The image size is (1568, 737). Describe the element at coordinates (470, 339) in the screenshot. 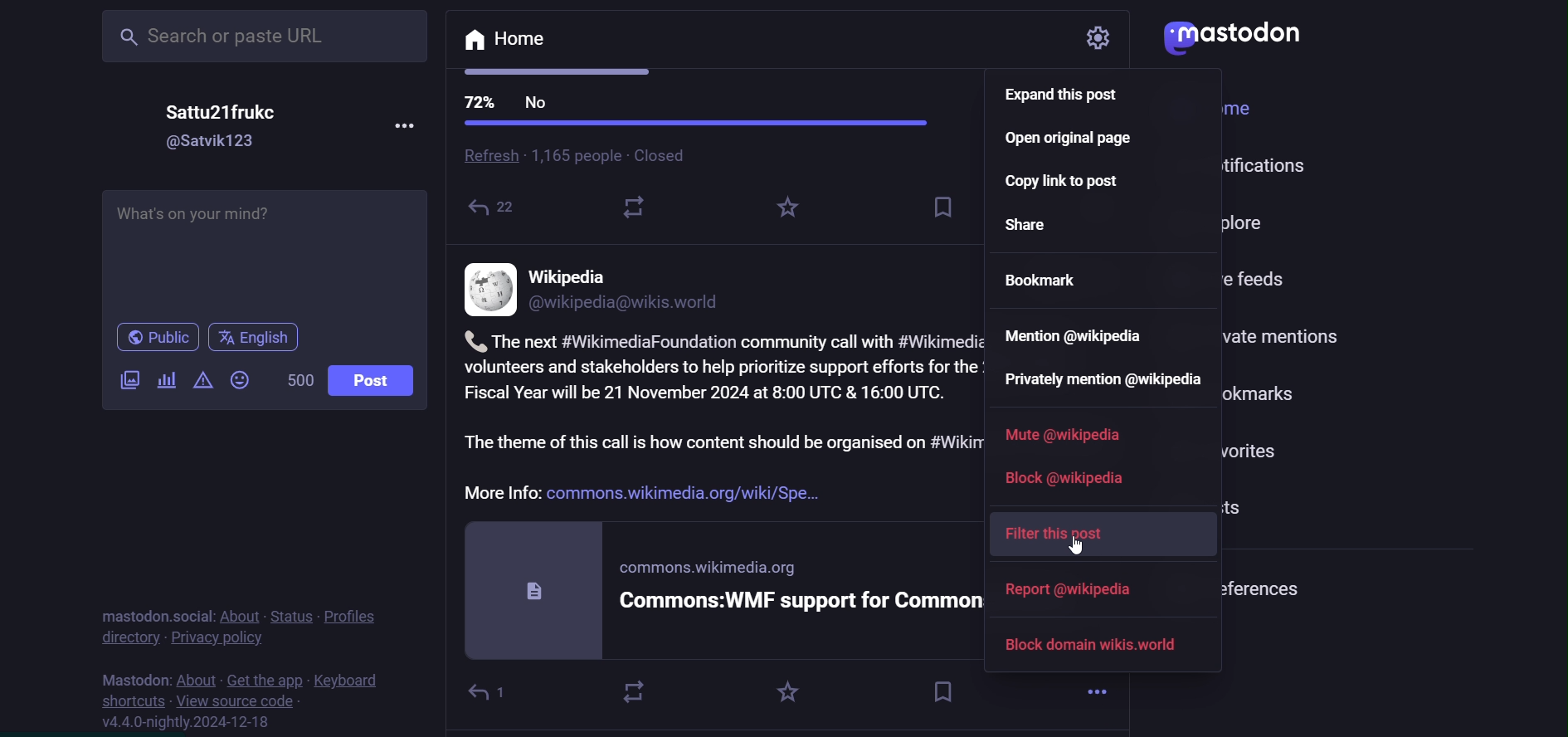

I see `call logo` at that location.